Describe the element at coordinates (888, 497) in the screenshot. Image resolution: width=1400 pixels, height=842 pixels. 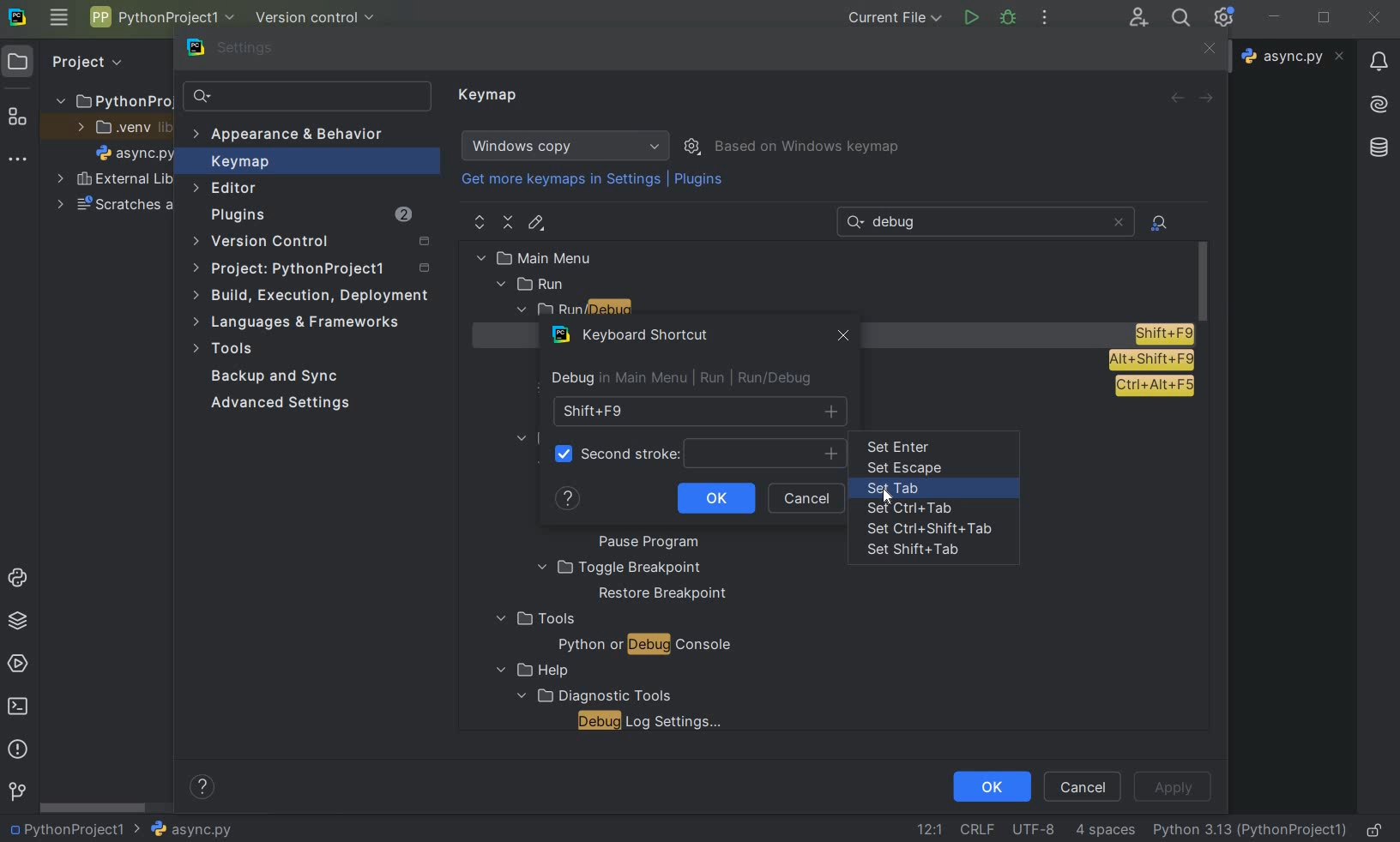
I see `cursor` at that location.